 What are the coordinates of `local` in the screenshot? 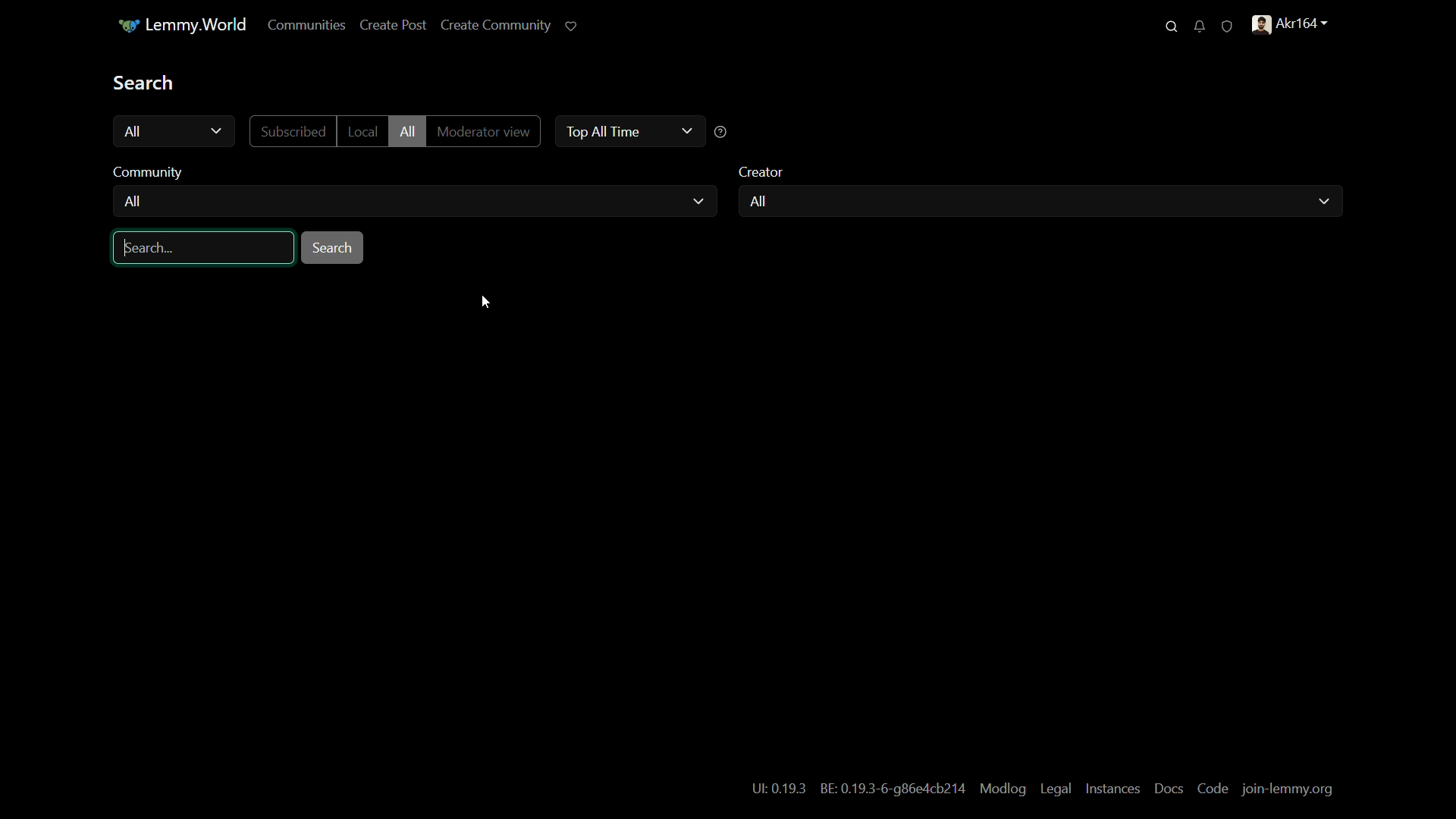 It's located at (361, 131).